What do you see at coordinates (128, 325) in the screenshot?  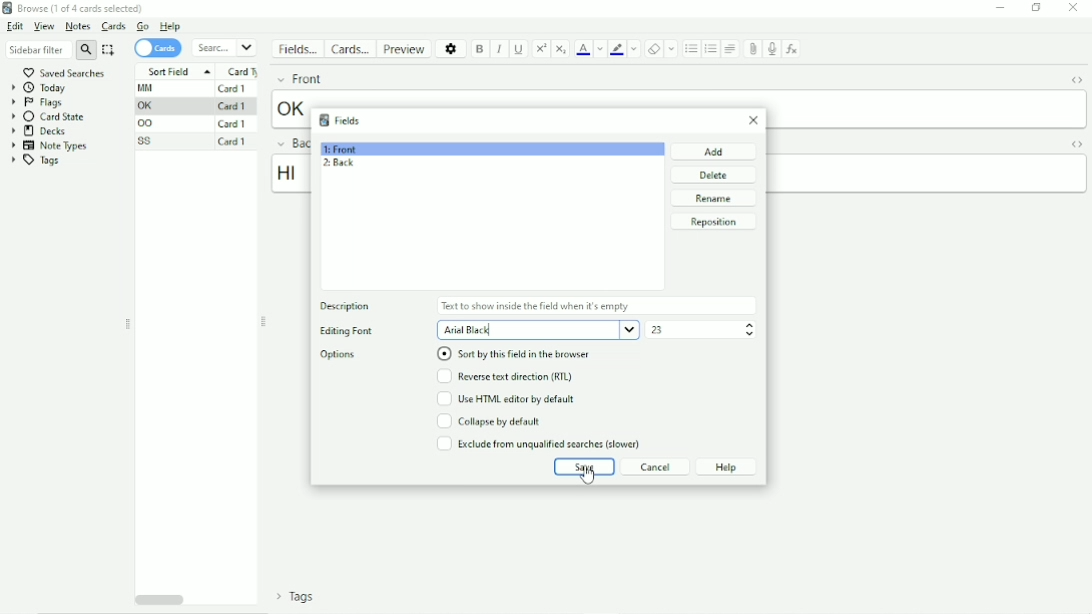 I see `Resize` at bounding box center [128, 325].